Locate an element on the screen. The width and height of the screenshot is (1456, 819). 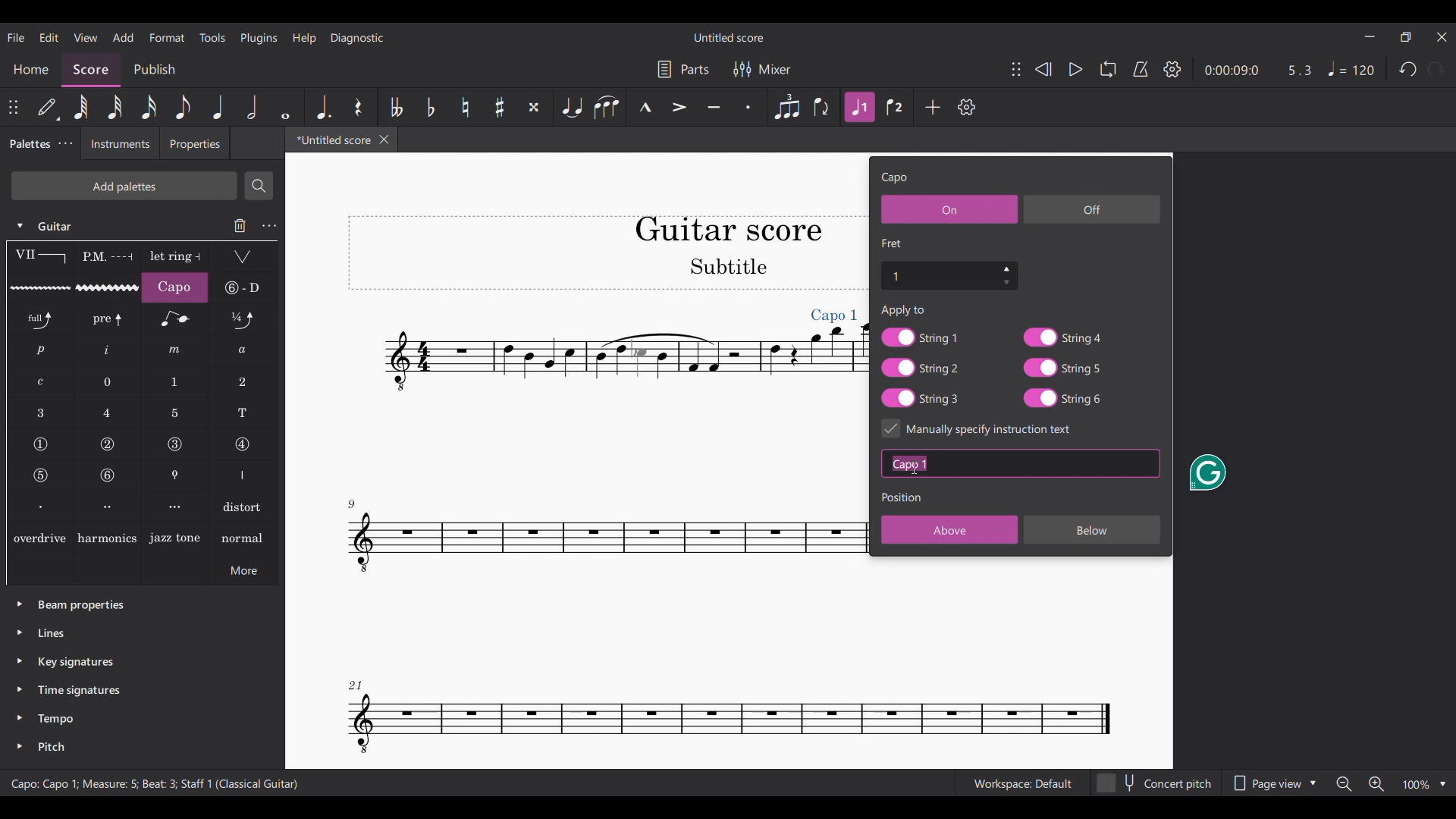
Staccato is located at coordinates (748, 107).